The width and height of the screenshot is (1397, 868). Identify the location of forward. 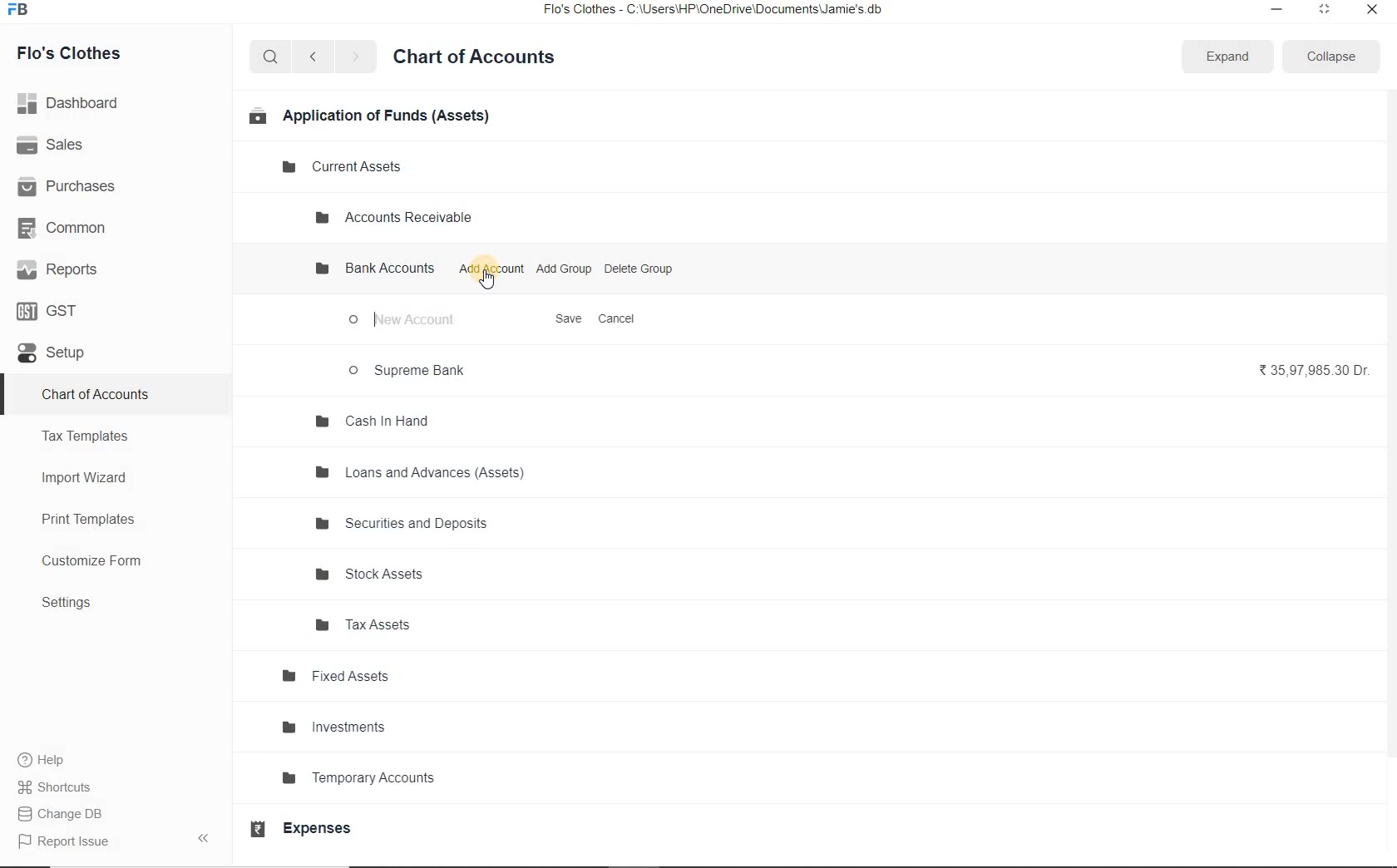
(357, 57).